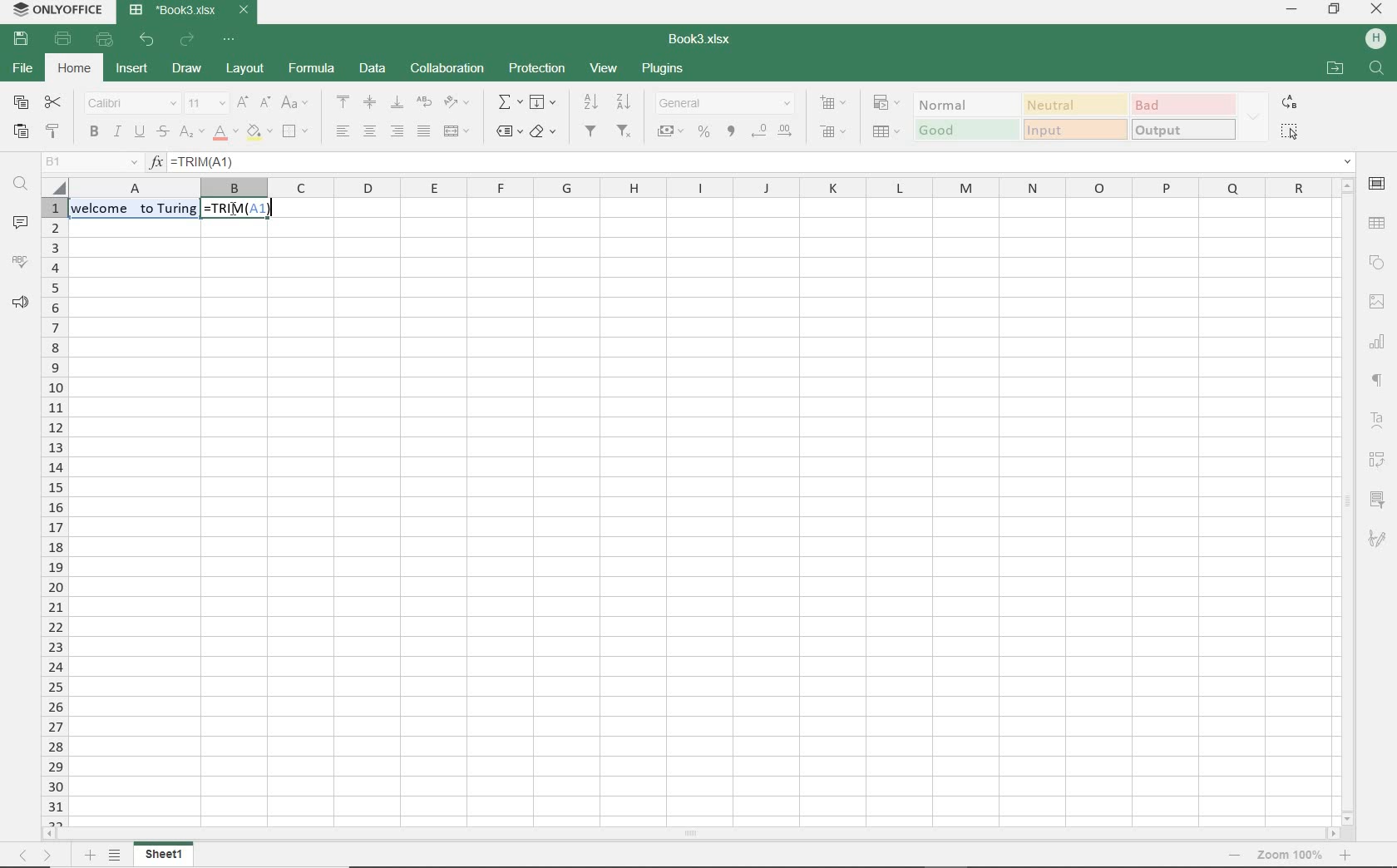  What do you see at coordinates (259, 134) in the screenshot?
I see `fill color` at bounding box center [259, 134].